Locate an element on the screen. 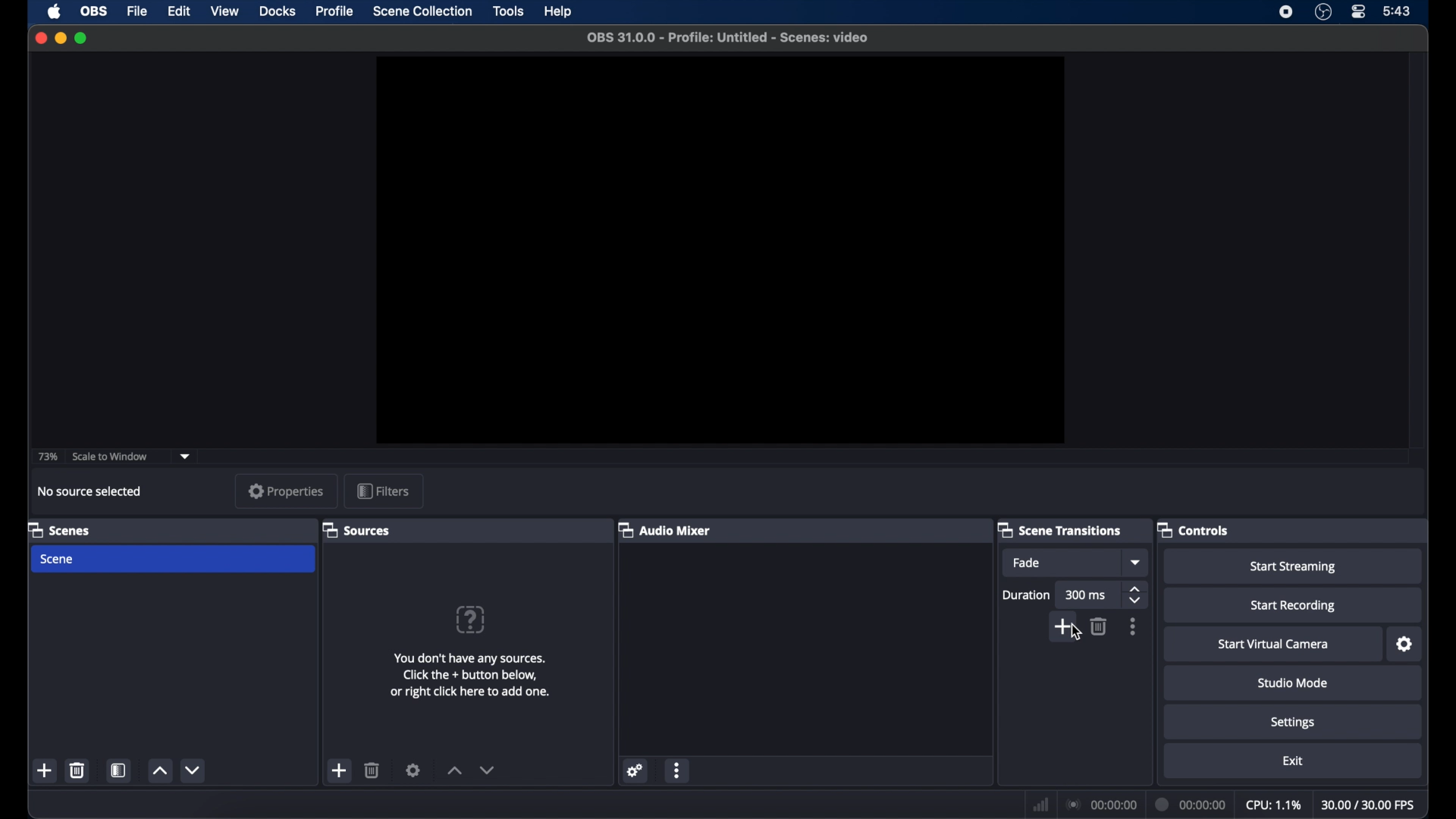 The width and height of the screenshot is (1456, 819). obs is located at coordinates (94, 11).